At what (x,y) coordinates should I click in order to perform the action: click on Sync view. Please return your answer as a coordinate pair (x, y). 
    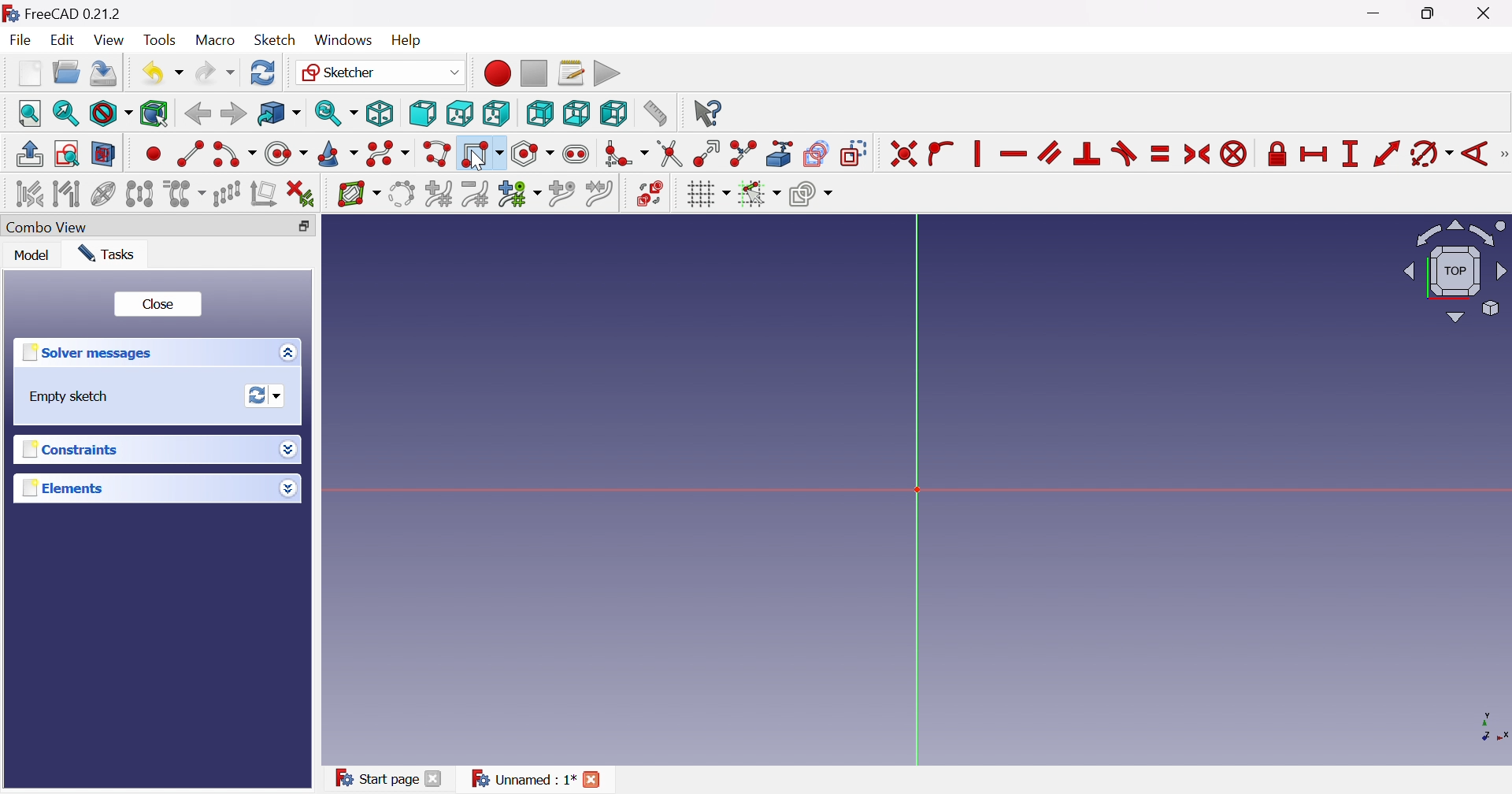
    Looking at the image, I should click on (336, 113).